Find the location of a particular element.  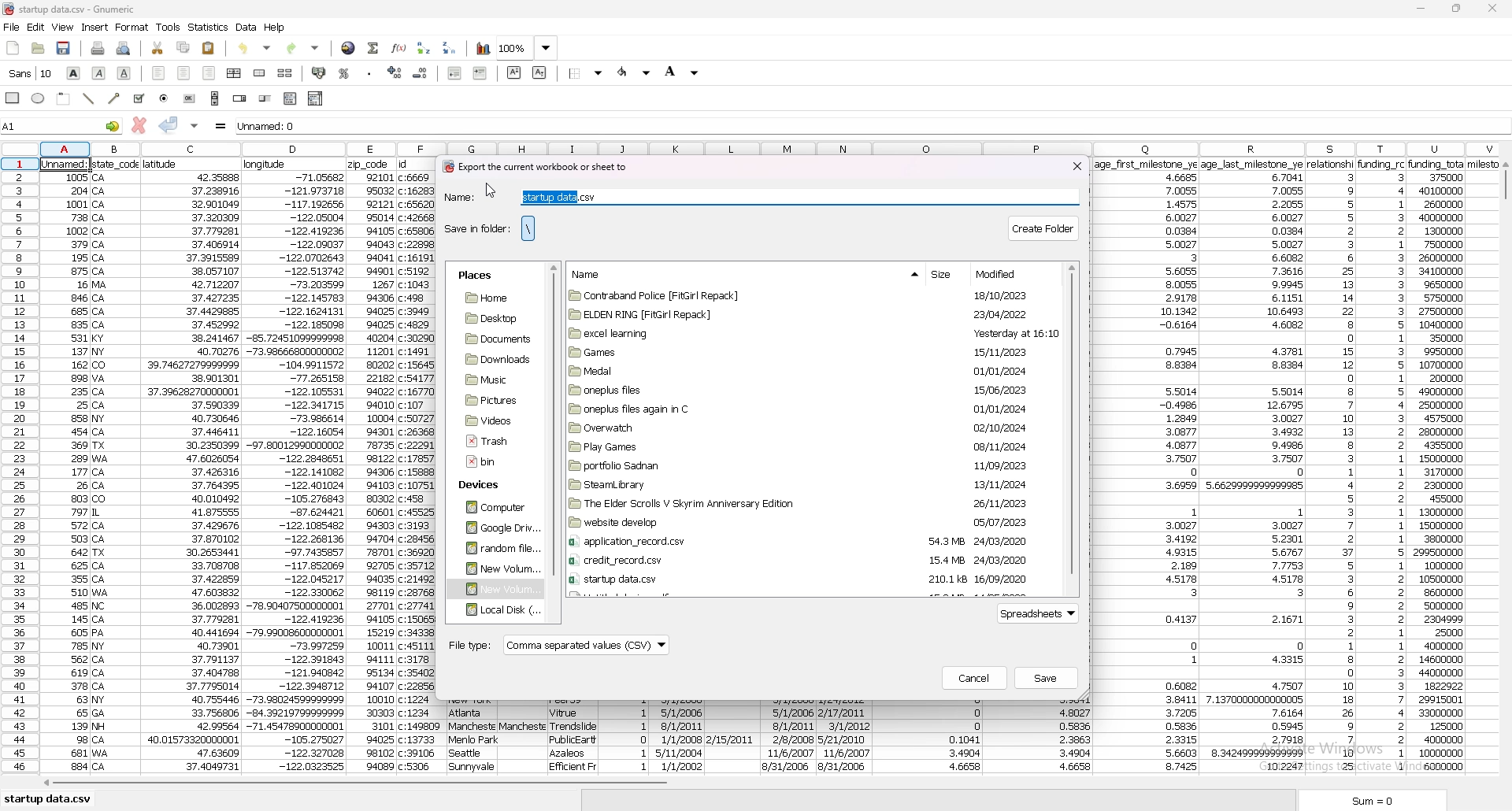

subscript is located at coordinates (539, 72).